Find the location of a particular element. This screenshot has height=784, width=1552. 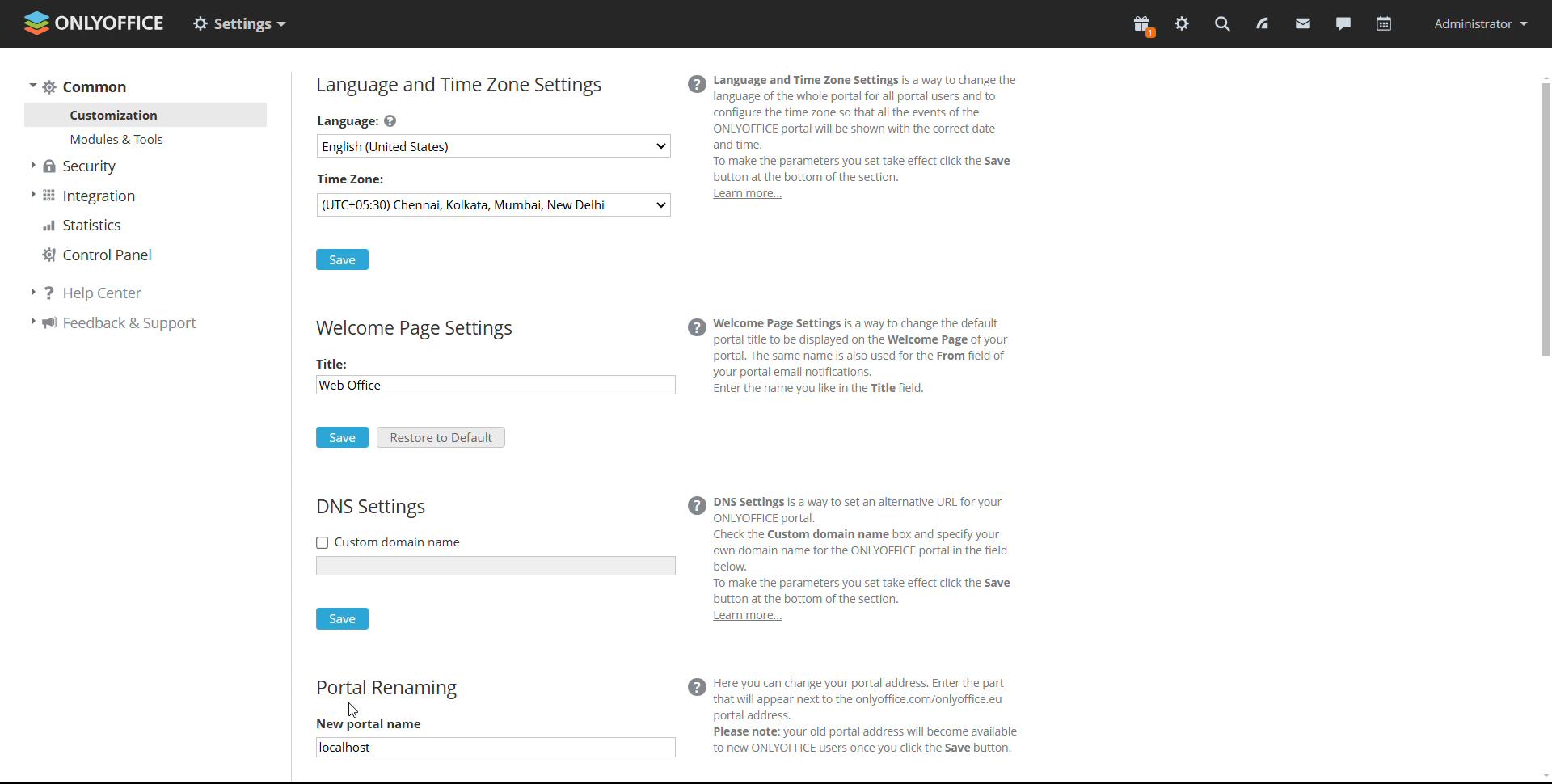

new portal name is located at coordinates (494, 748).